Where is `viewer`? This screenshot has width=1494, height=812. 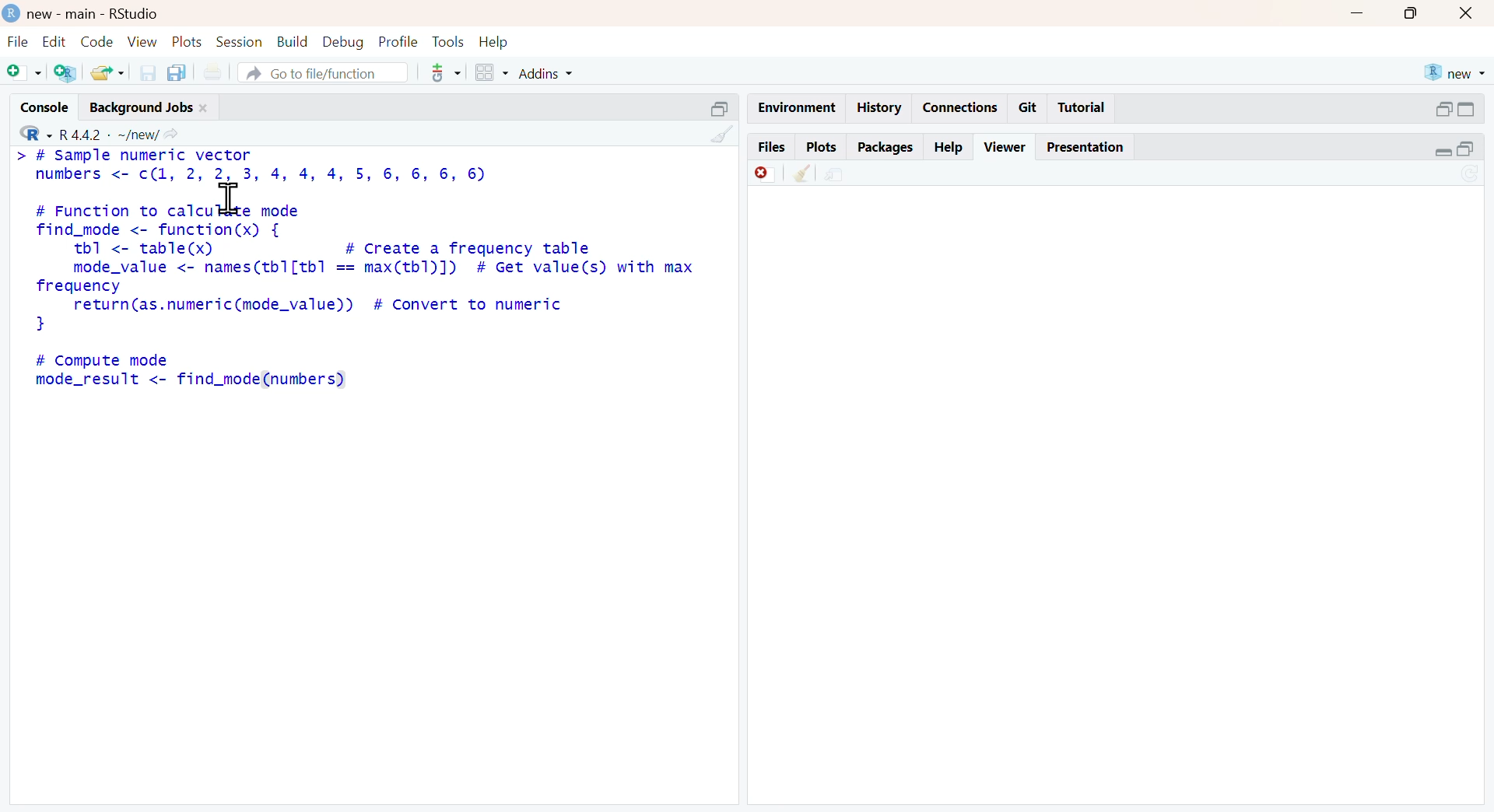 viewer is located at coordinates (1005, 147).